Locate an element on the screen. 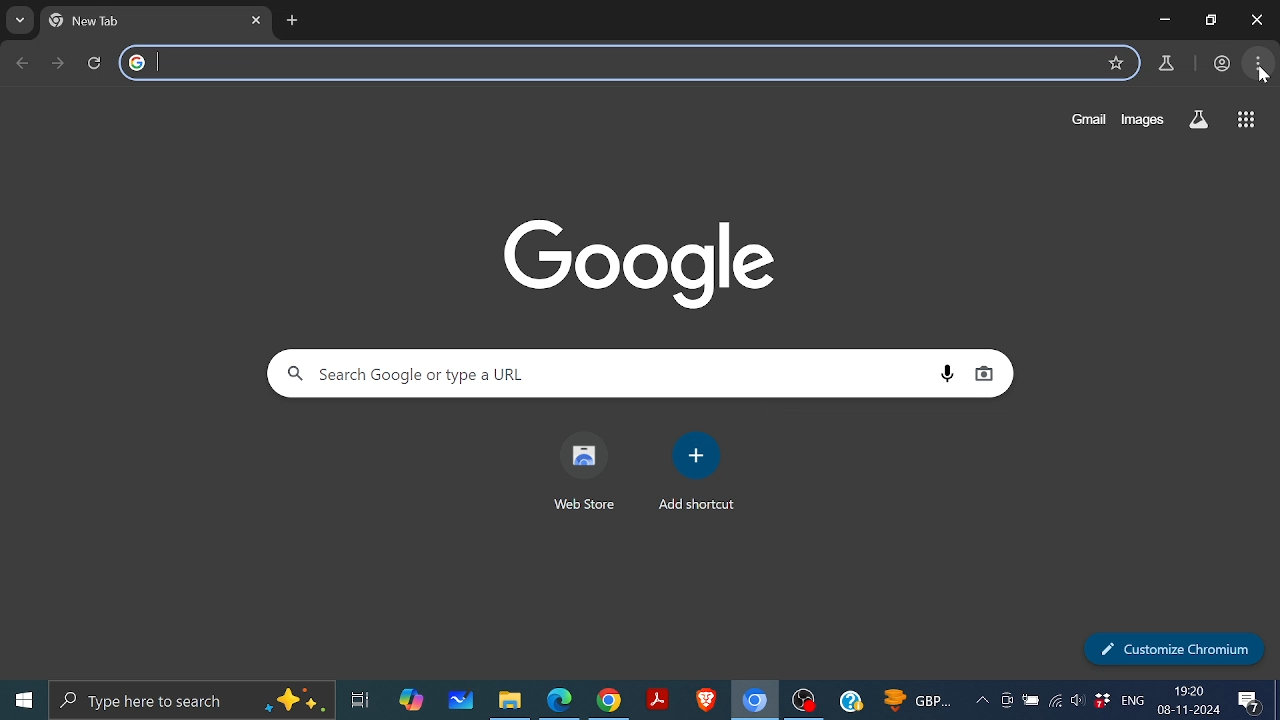 Image resolution: width=1280 pixels, height=720 pixels. Adobe reader is located at coordinates (657, 698).